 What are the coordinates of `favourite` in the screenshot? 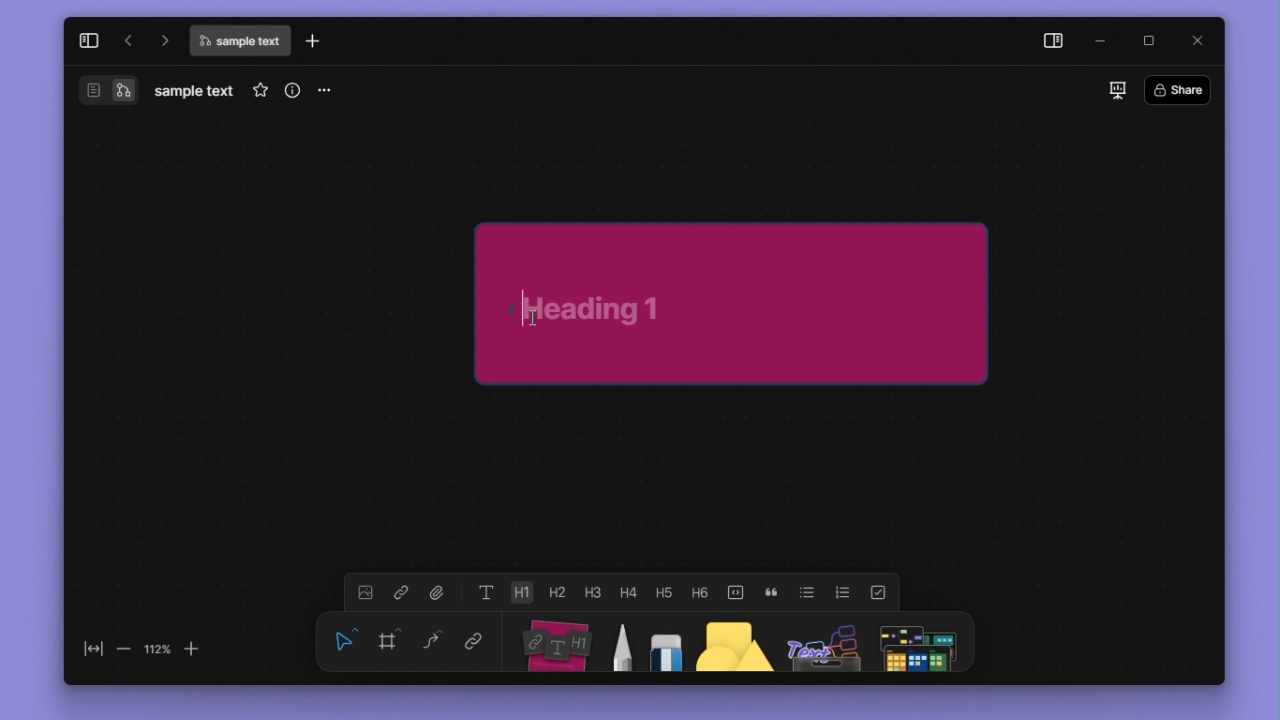 It's located at (260, 90).